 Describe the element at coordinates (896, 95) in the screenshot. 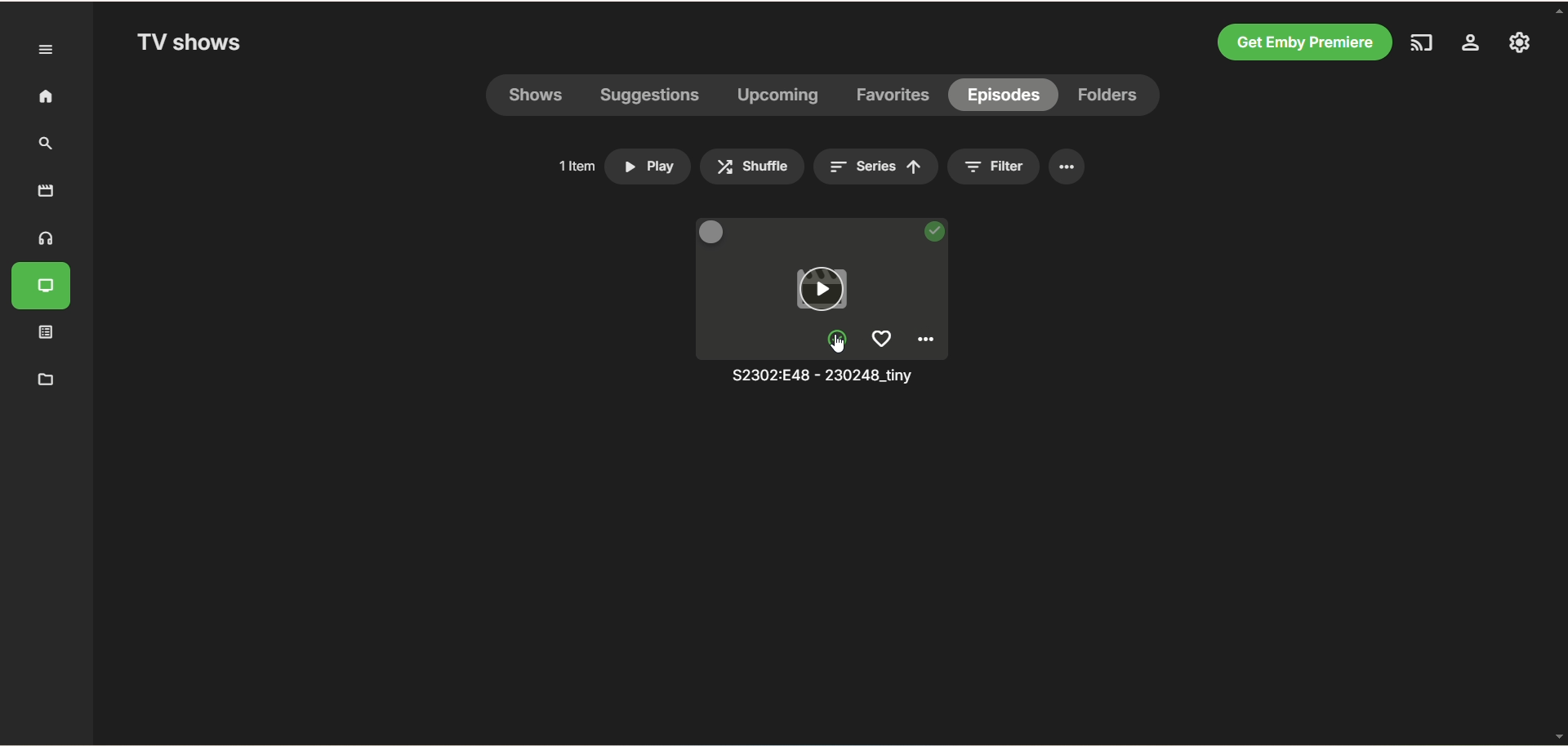

I see `favorites` at that location.